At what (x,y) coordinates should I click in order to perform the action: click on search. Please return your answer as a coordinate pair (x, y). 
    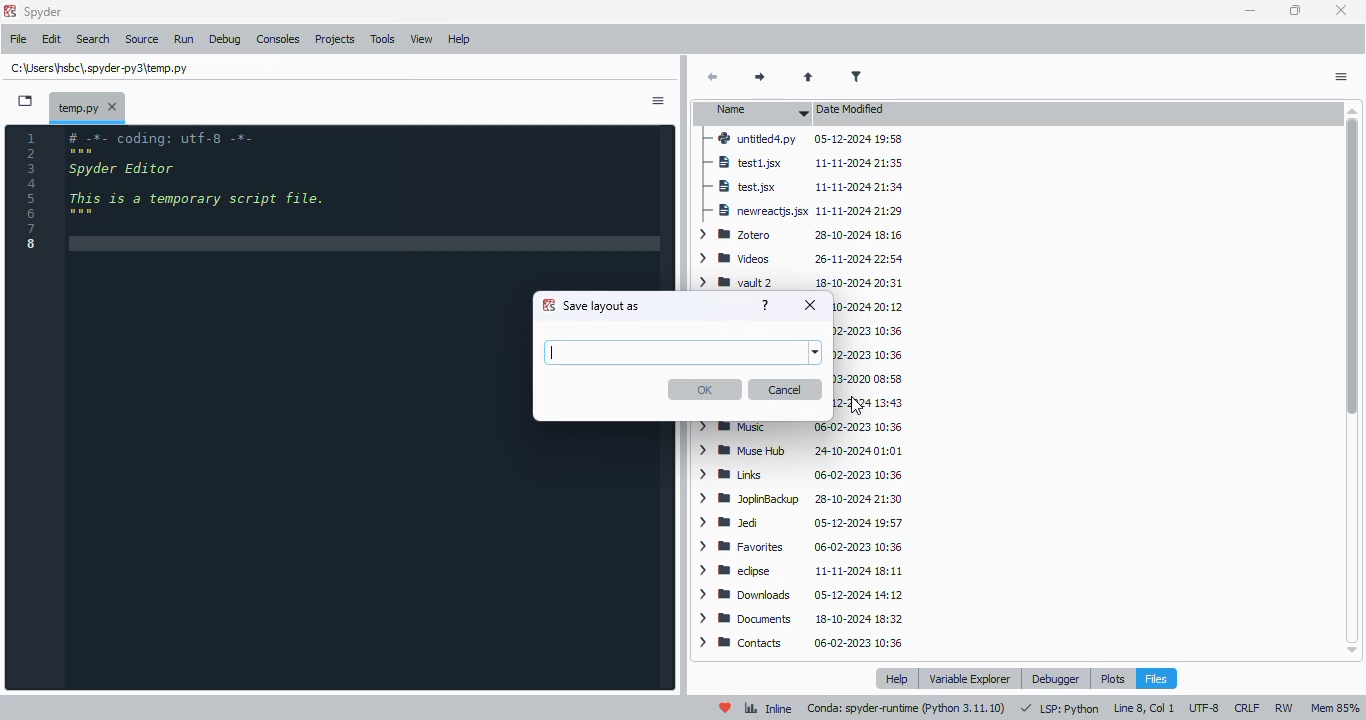
    Looking at the image, I should click on (95, 39).